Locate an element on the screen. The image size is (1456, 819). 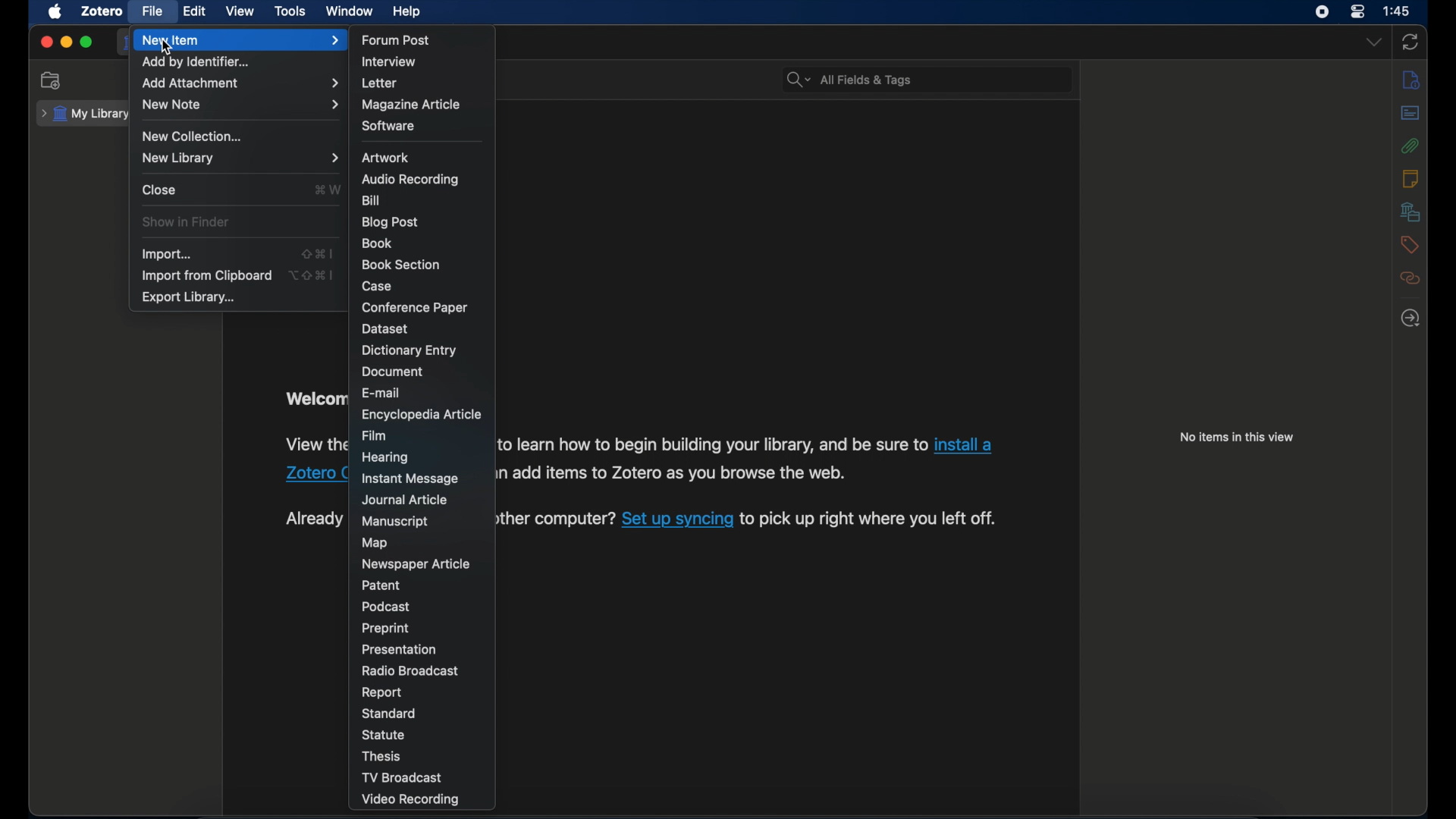
install a is located at coordinates (968, 443).